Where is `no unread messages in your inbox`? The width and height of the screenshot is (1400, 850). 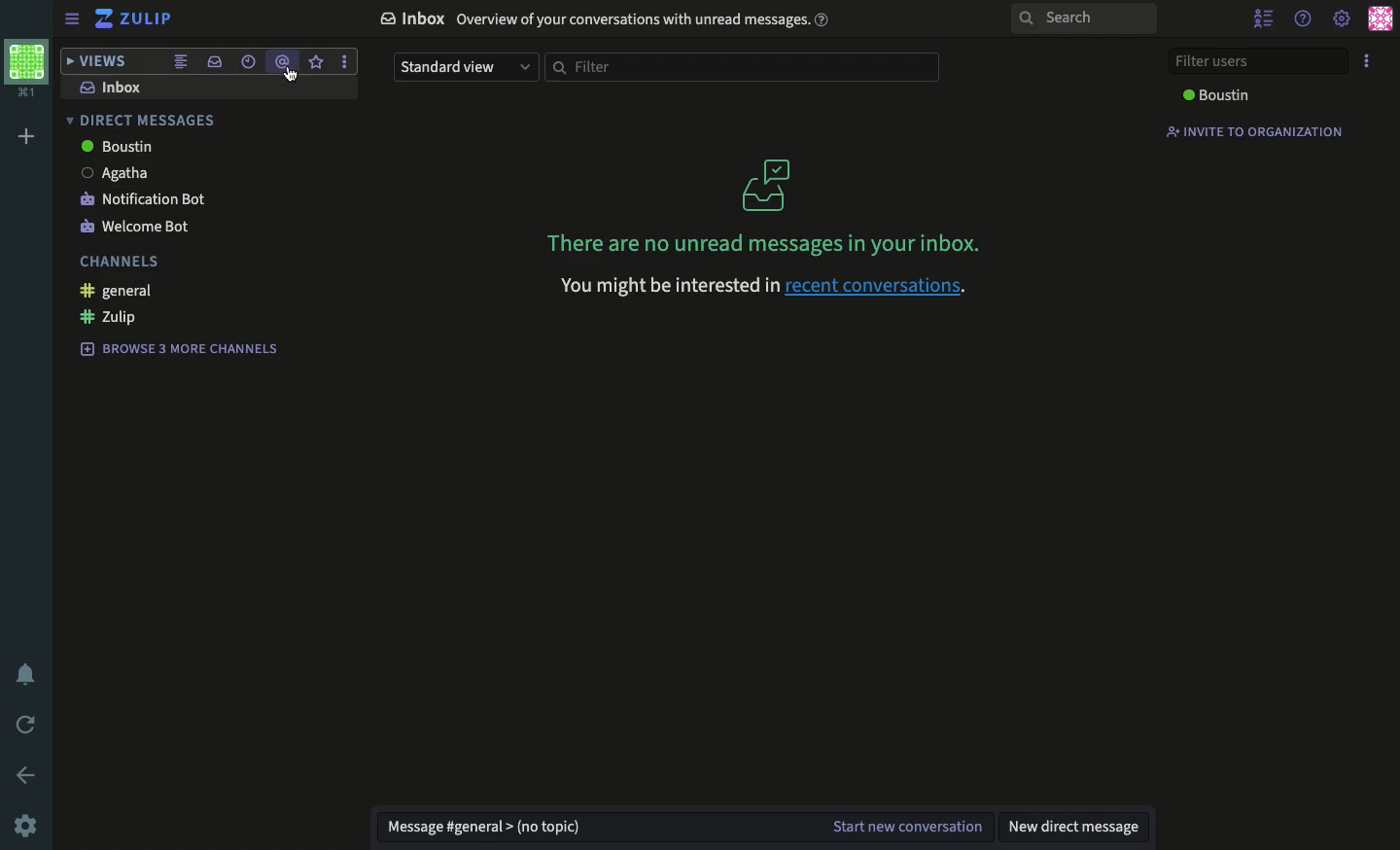
no unread messages in your inbox is located at coordinates (765, 243).